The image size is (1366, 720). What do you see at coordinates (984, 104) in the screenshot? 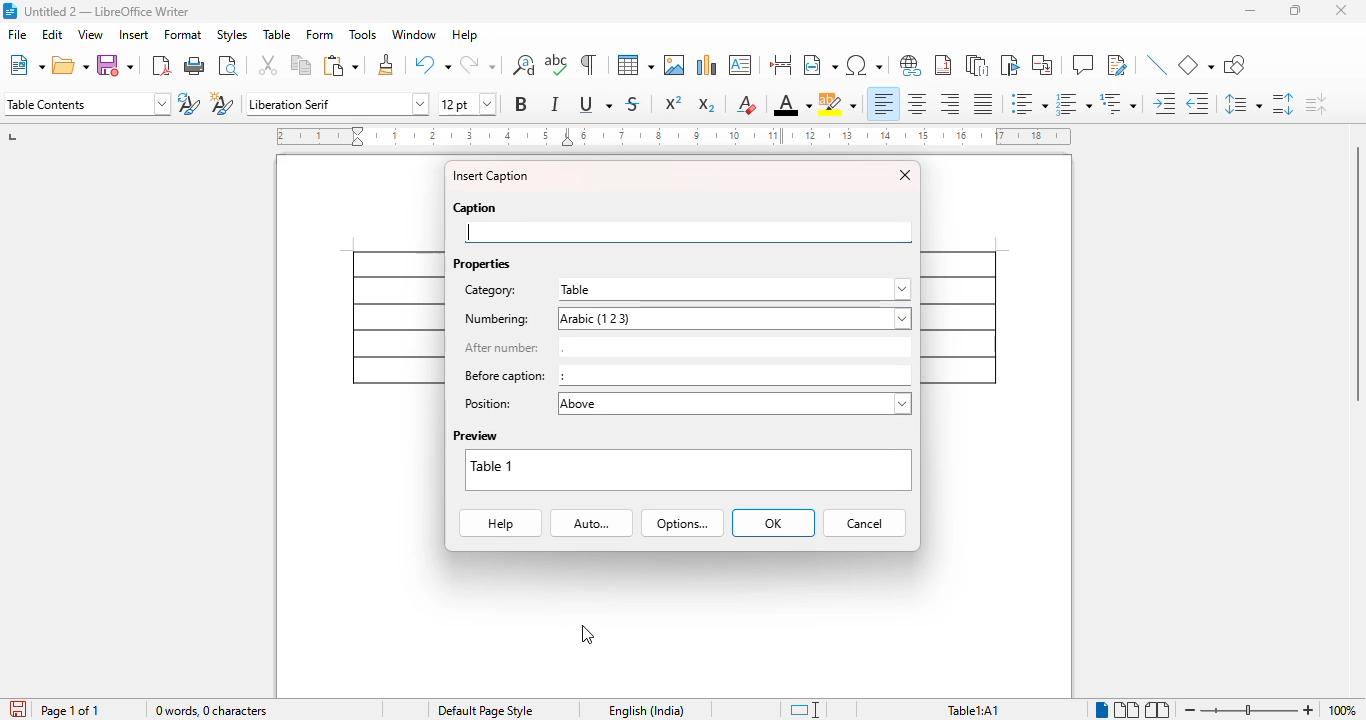
I see `justified` at bounding box center [984, 104].